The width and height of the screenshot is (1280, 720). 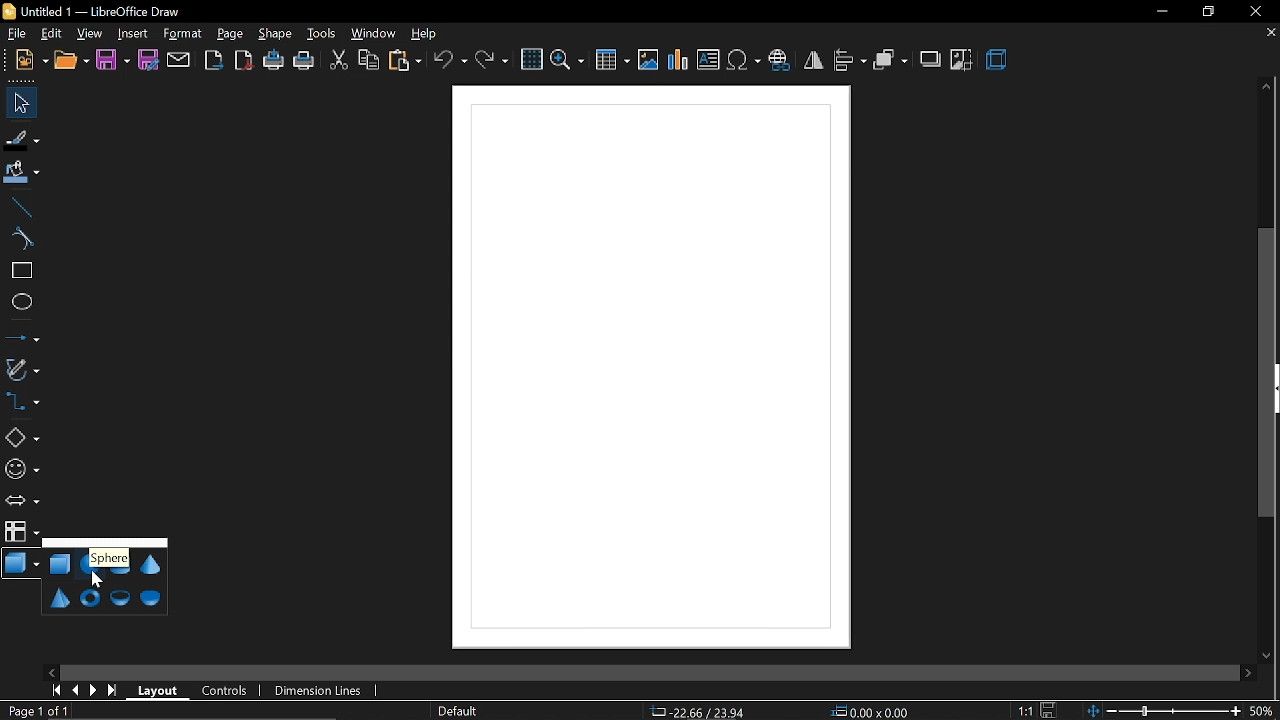 What do you see at coordinates (35, 711) in the screenshot?
I see `Page 1 of 1` at bounding box center [35, 711].